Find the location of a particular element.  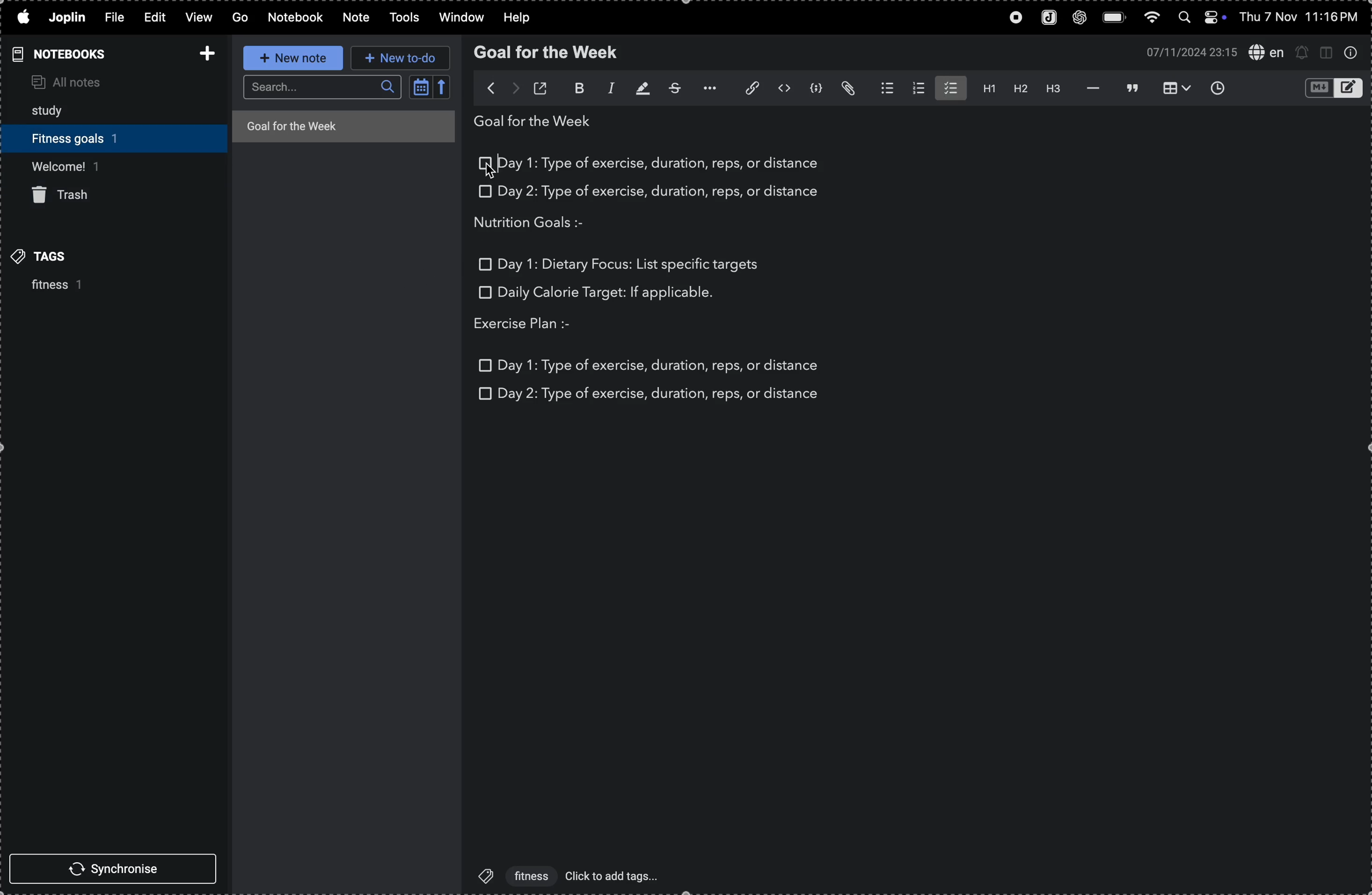

joplin is located at coordinates (1046, 17).